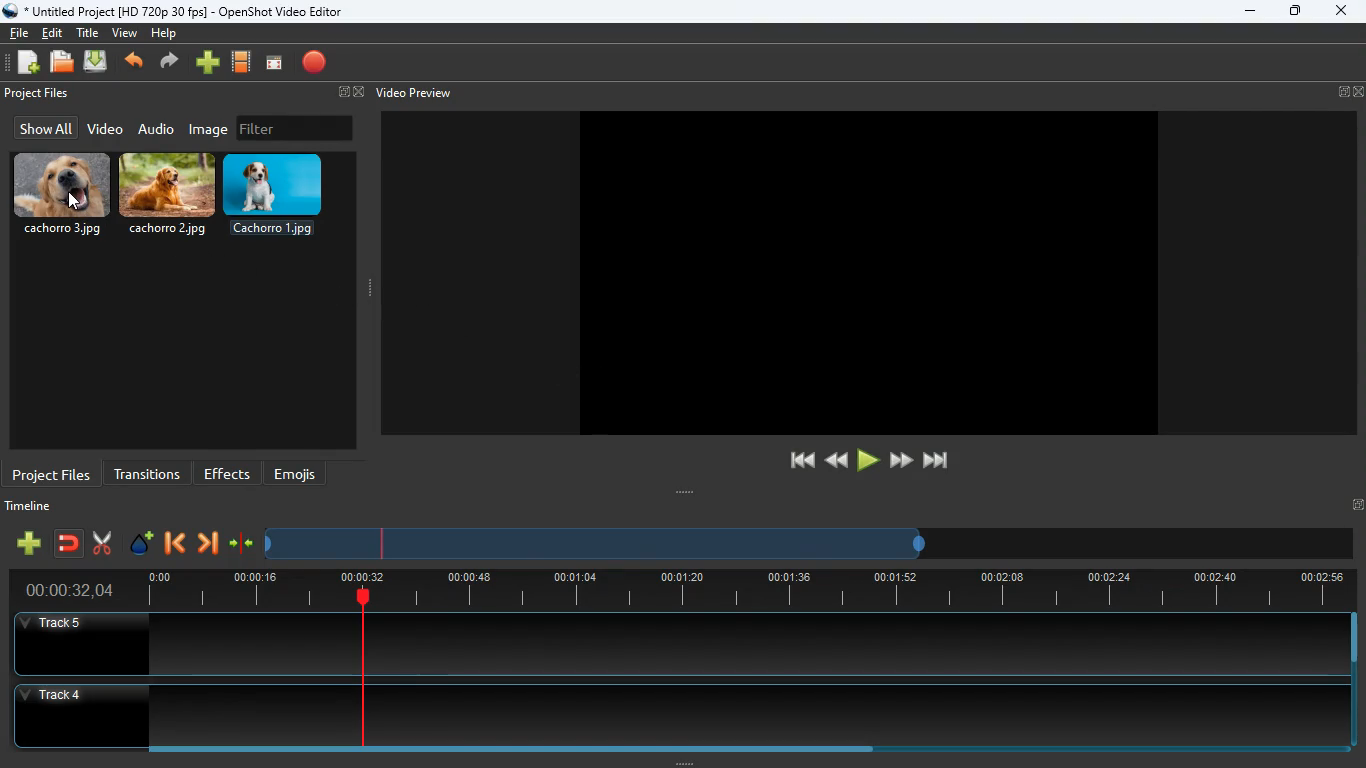 This screenshot has width=1366, height=768. What do you see at coordinates (172, 63) in the screenshot?
I see `forward` at bounding box center [172, 63].